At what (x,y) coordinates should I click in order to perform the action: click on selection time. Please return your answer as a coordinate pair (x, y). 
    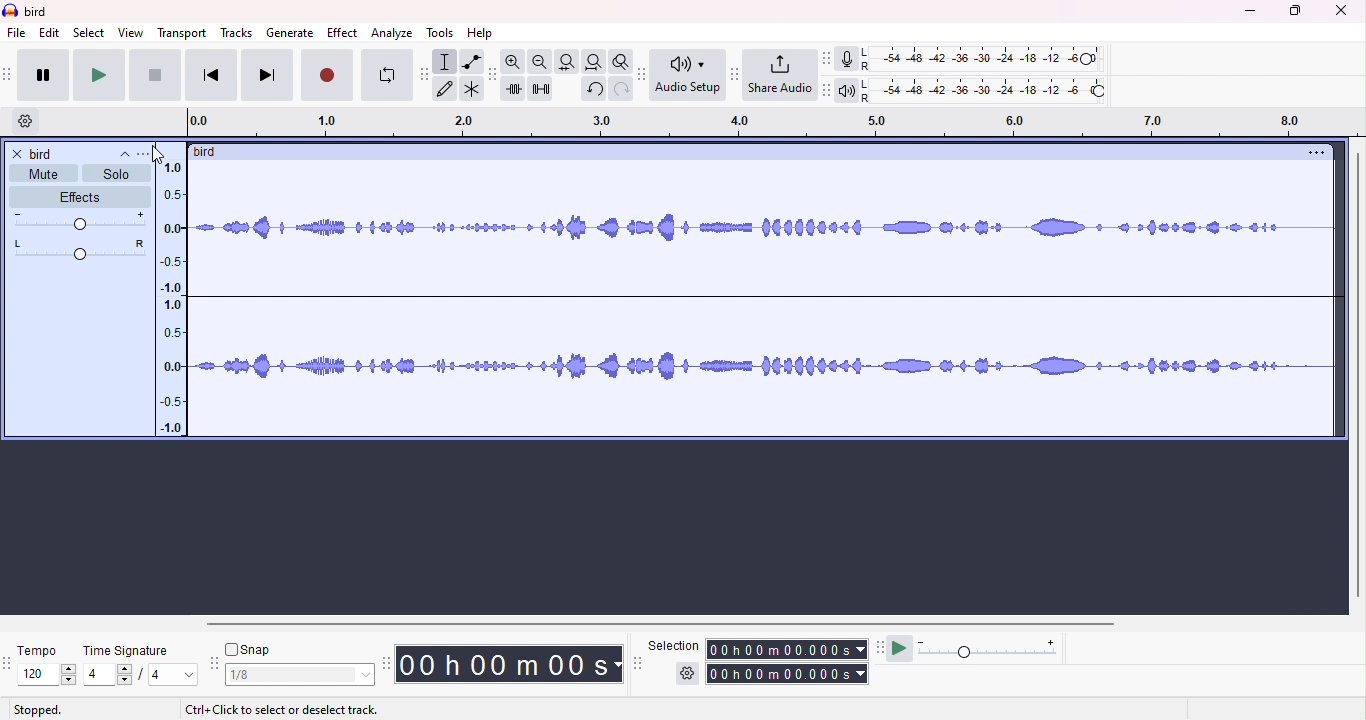
    Looking at the image, I should click on (788, 649).